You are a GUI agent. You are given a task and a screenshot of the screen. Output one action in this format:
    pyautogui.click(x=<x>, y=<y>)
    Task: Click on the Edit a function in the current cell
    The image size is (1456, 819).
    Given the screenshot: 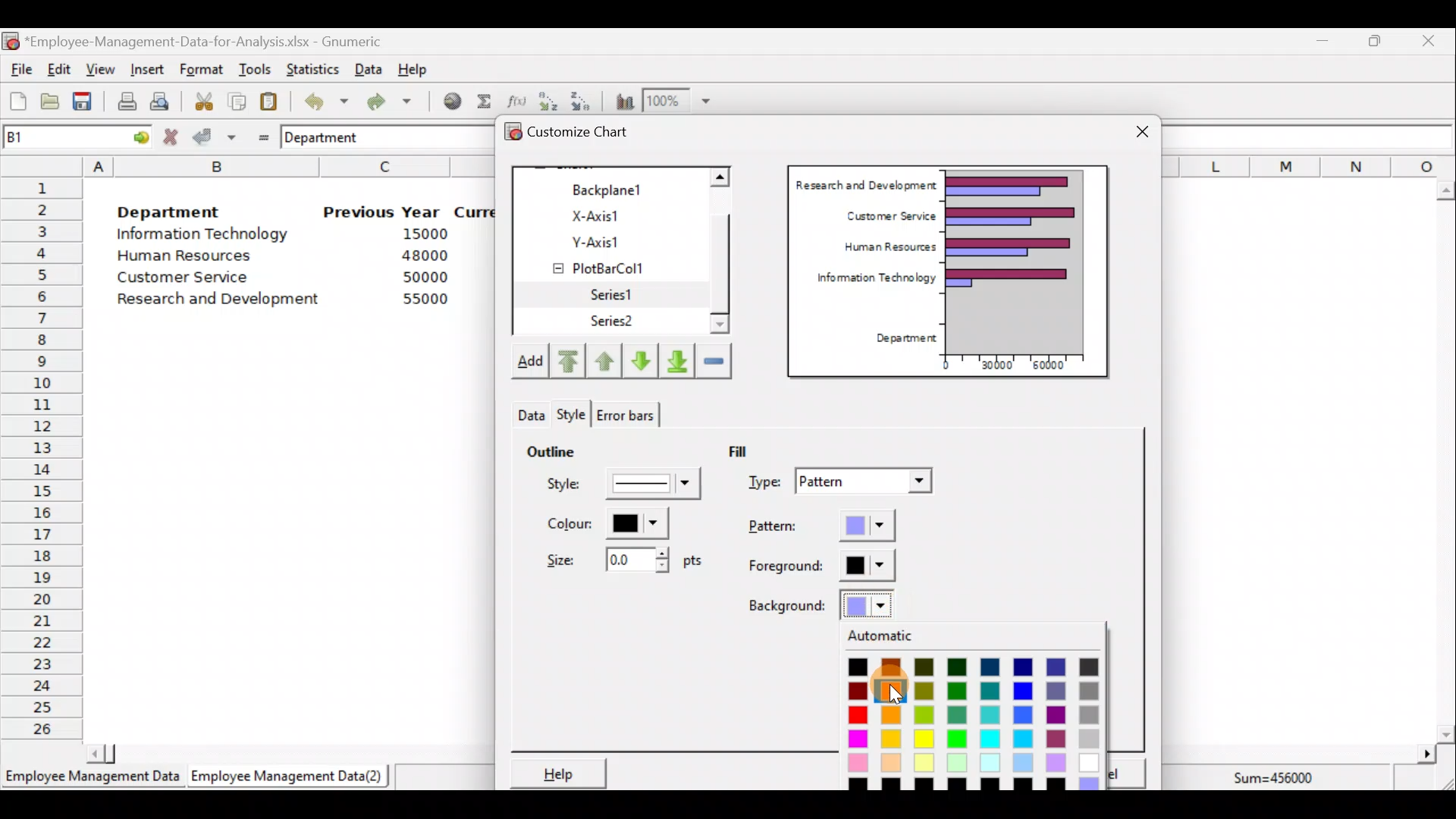 What is the action you would take?
    pyautogui.click(x=516, y=100)
    